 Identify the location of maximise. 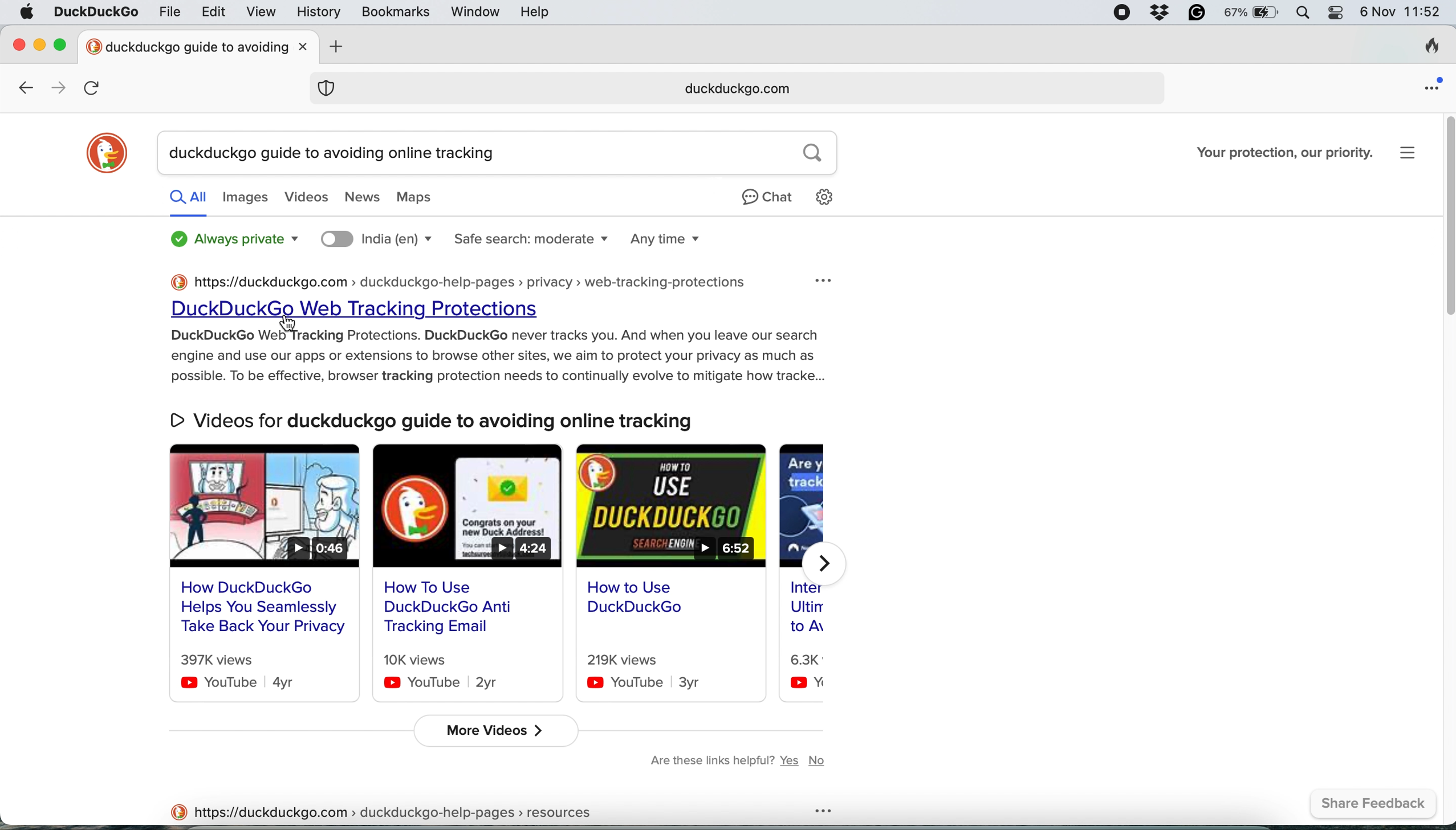
(64, 46).